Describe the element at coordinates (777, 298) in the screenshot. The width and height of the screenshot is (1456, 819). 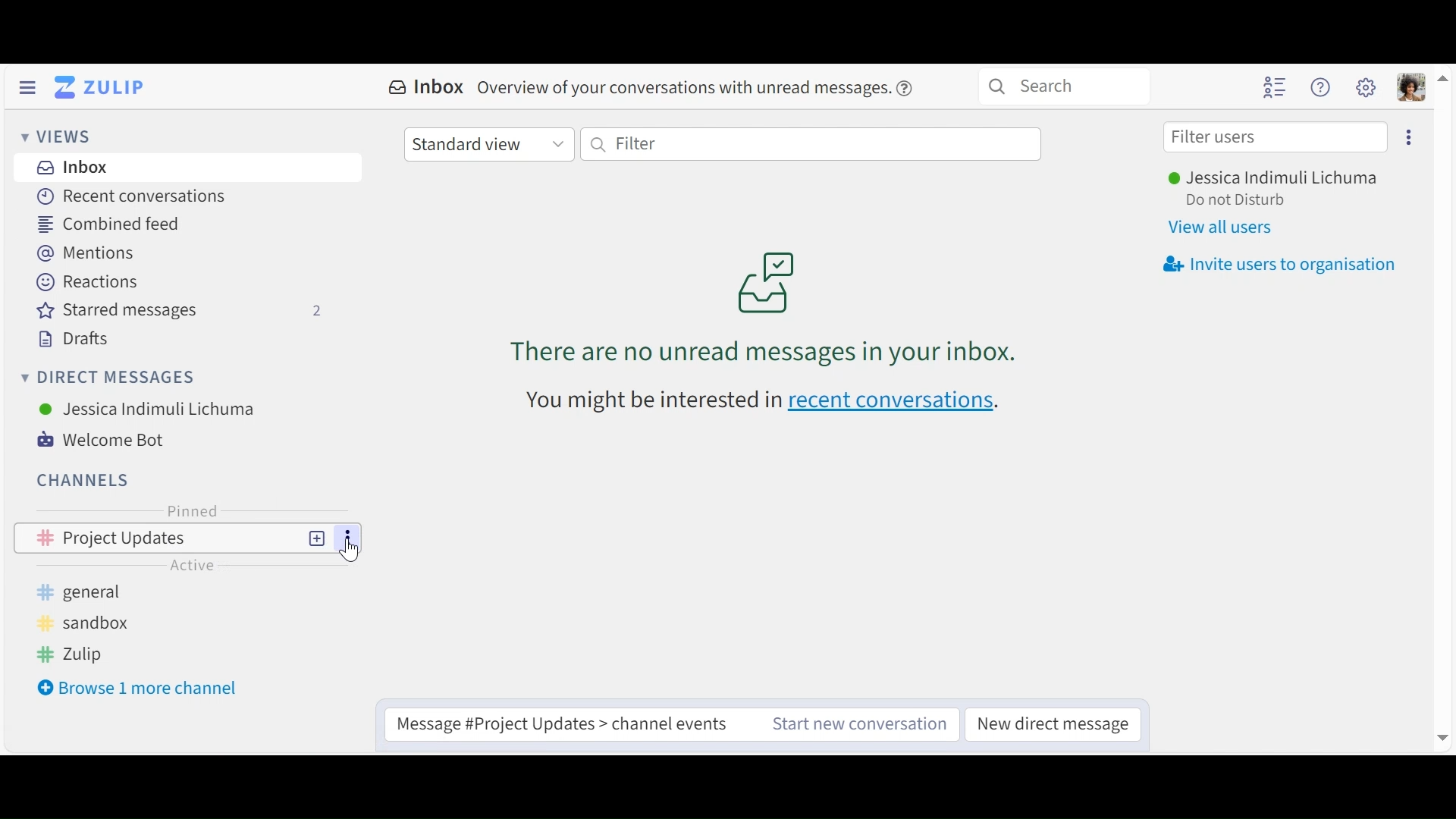
I see `no unread messages in your inbox` at that location.